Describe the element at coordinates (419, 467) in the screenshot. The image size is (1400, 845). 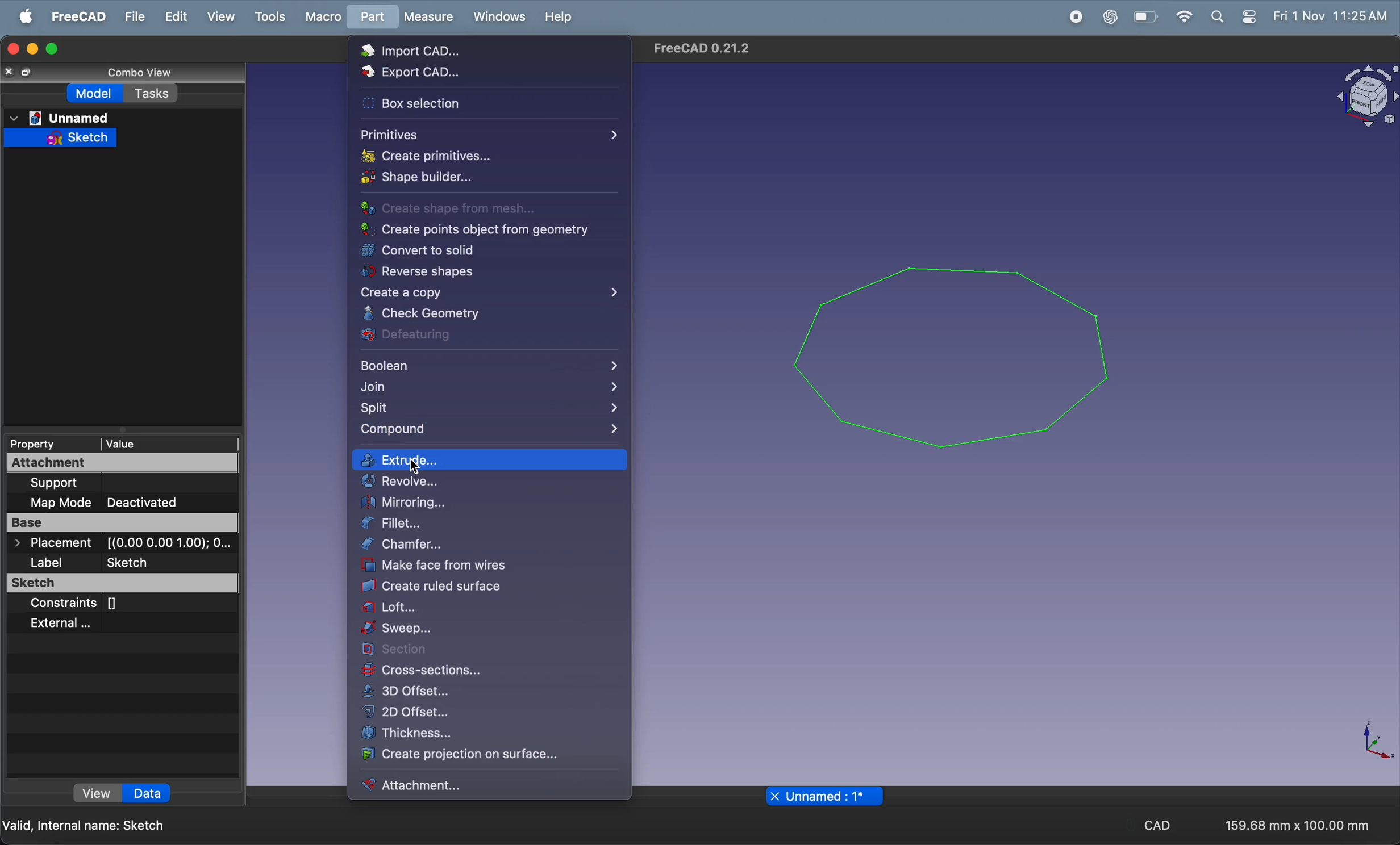
I see `cursor` at that location.